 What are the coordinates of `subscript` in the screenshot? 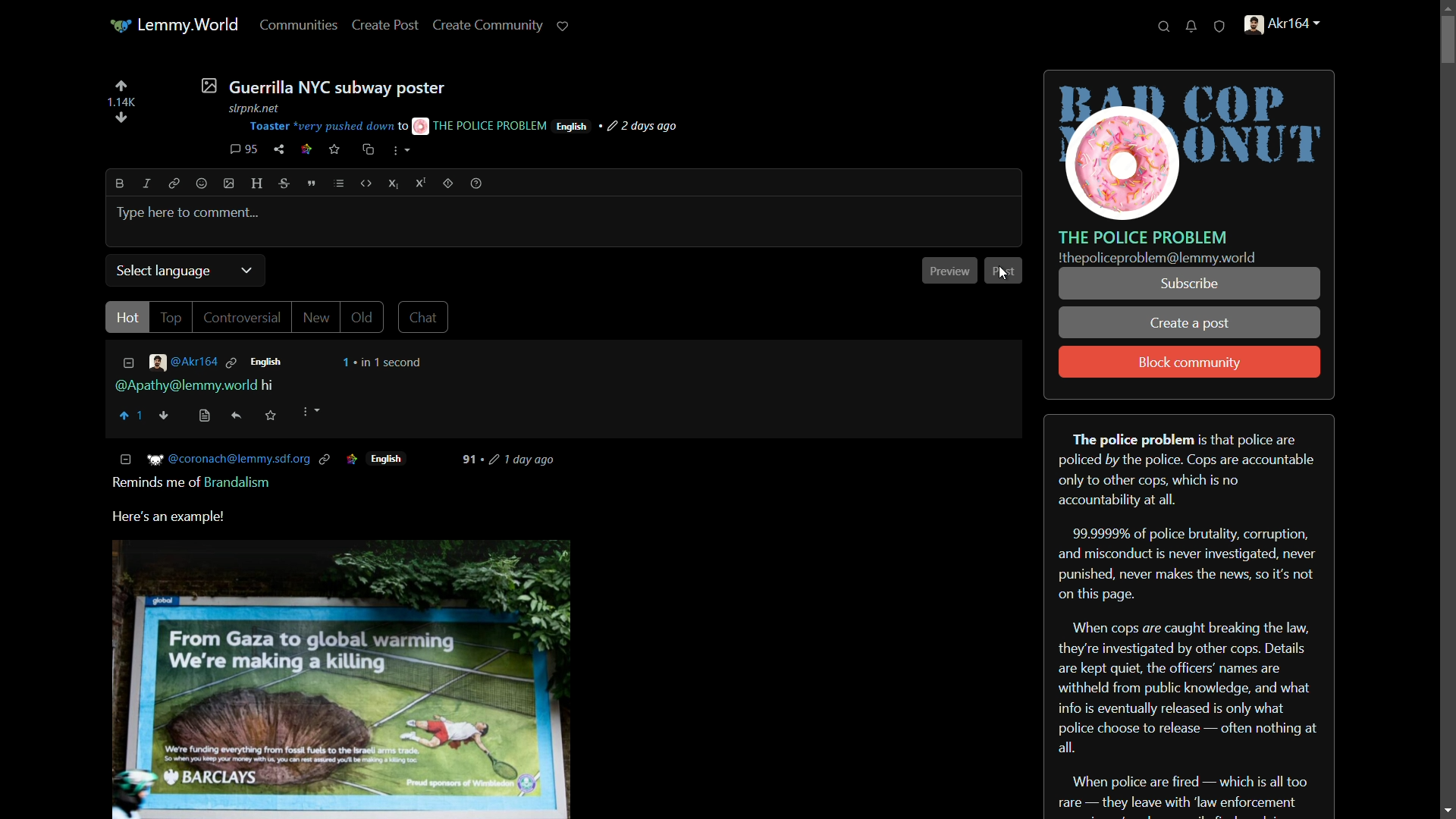 It's located at (395, 184).